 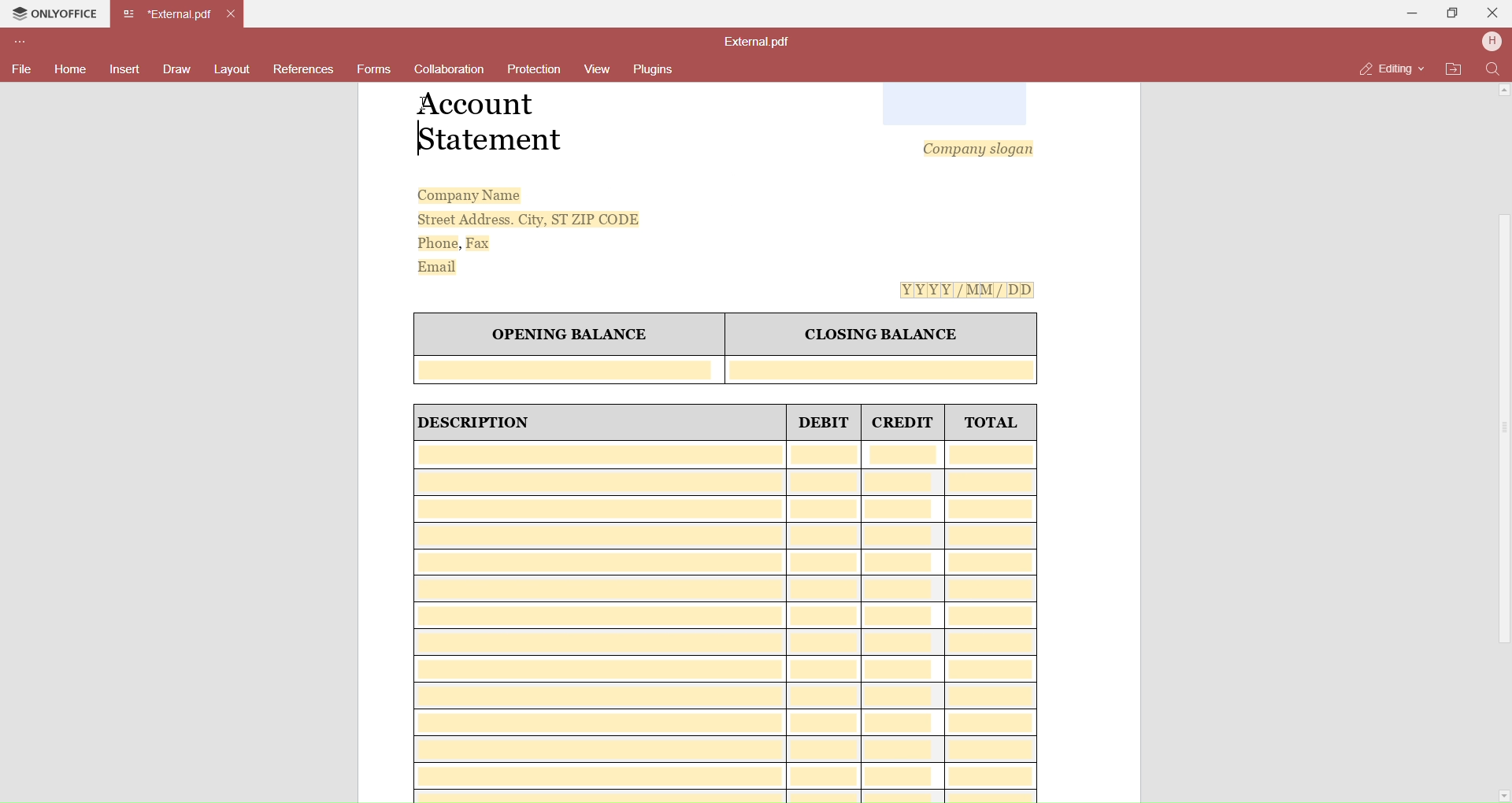 What do you see at coordinates (1492, 43) in the screenshot?
I see `User` at bounding box center [1492, 43].